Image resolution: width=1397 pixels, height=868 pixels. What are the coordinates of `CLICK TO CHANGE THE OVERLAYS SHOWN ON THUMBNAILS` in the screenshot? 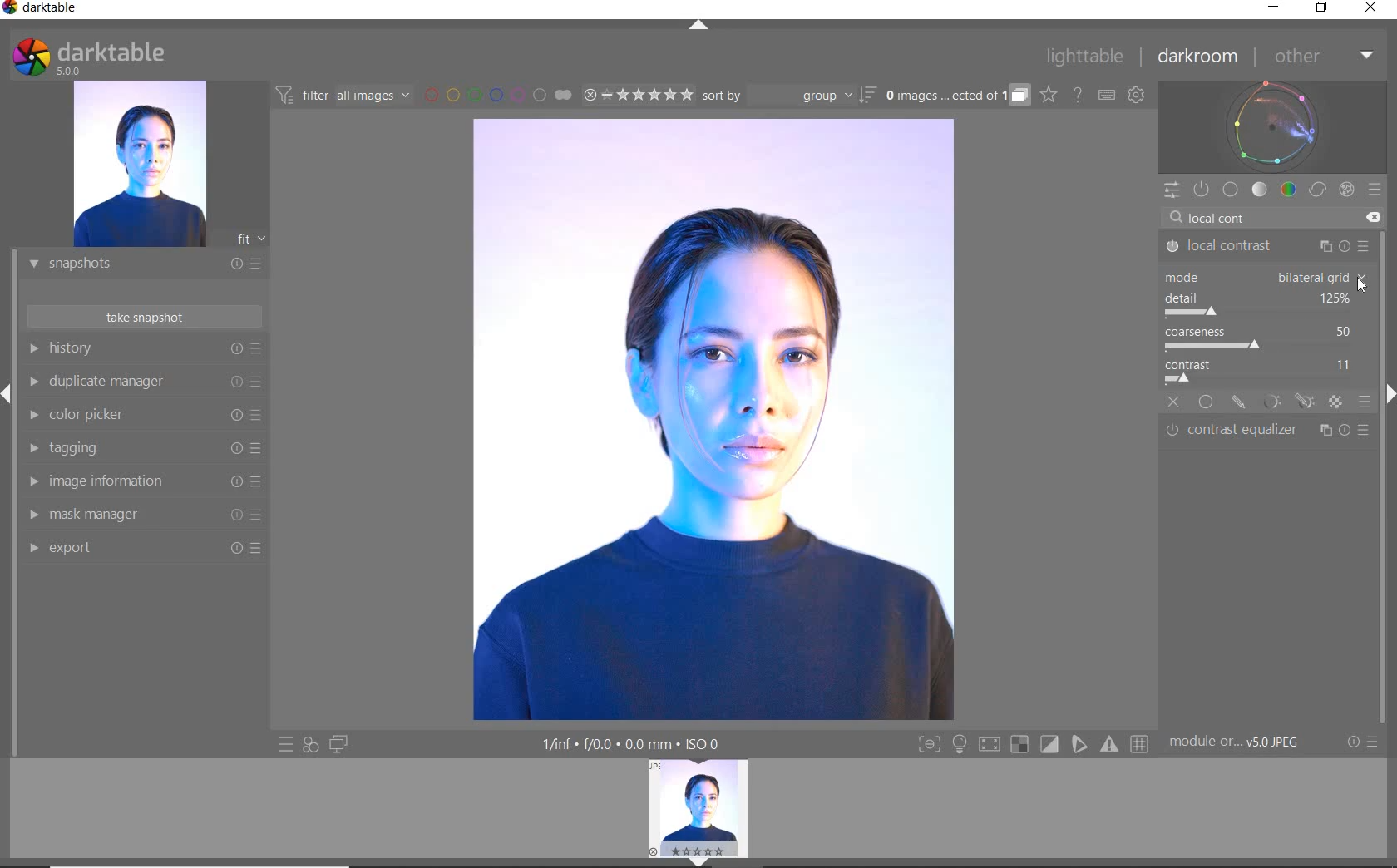 It's located at (1049, 95).